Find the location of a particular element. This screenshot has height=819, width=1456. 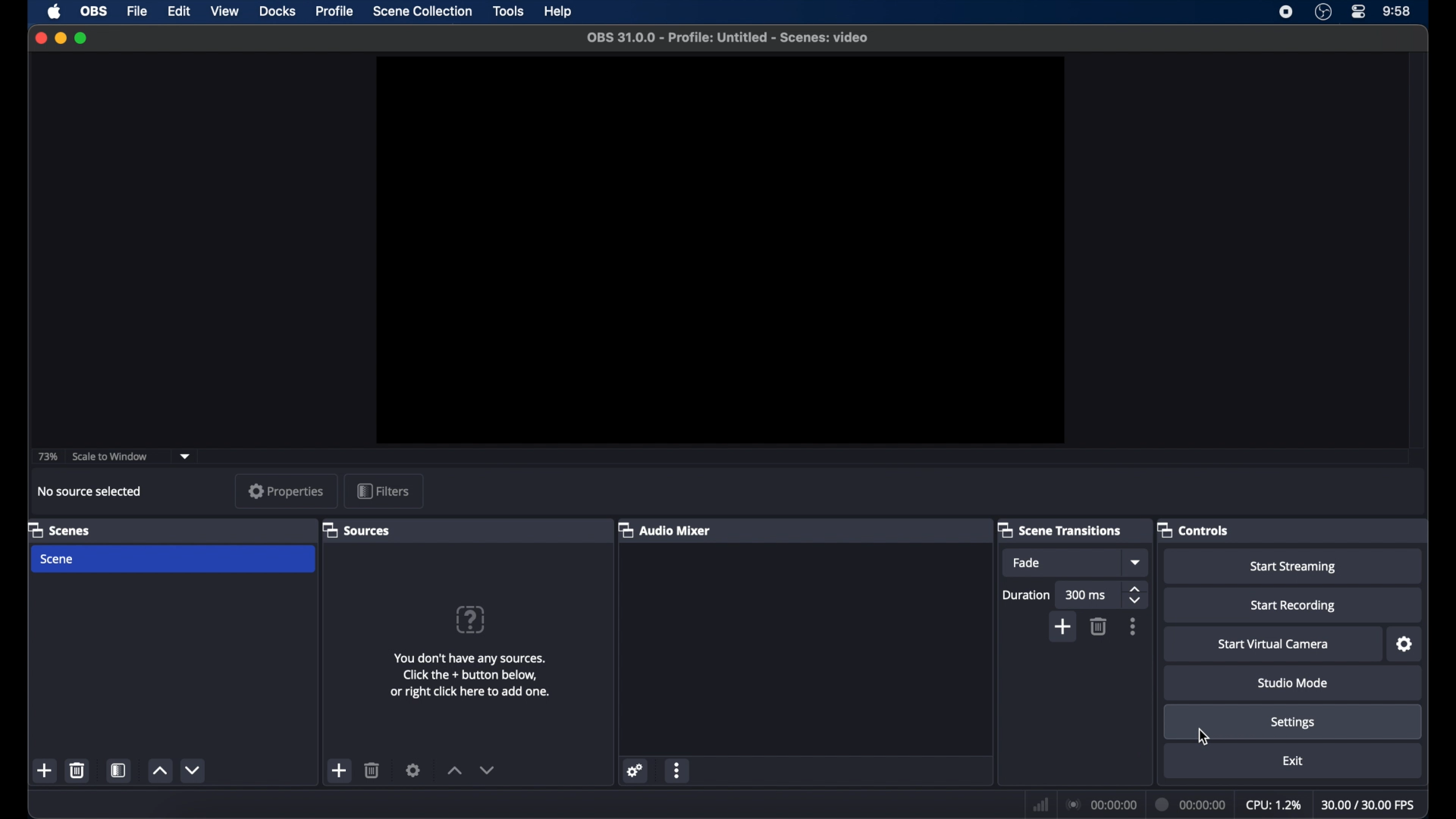

dropdown is located at coordinates (185, 455).